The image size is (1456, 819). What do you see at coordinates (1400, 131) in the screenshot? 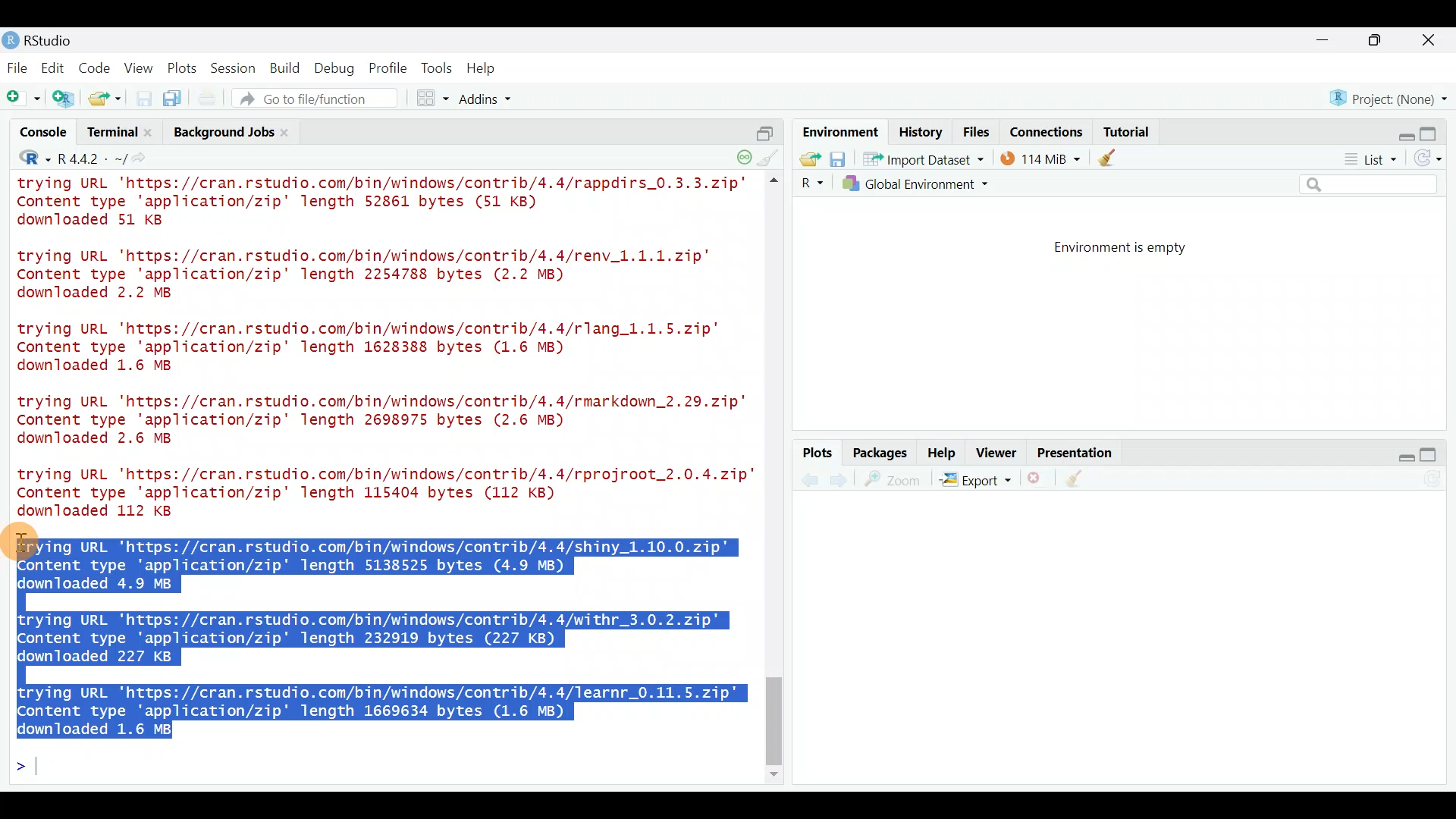
I see `Restore down` at bounding box center [1400, 131].